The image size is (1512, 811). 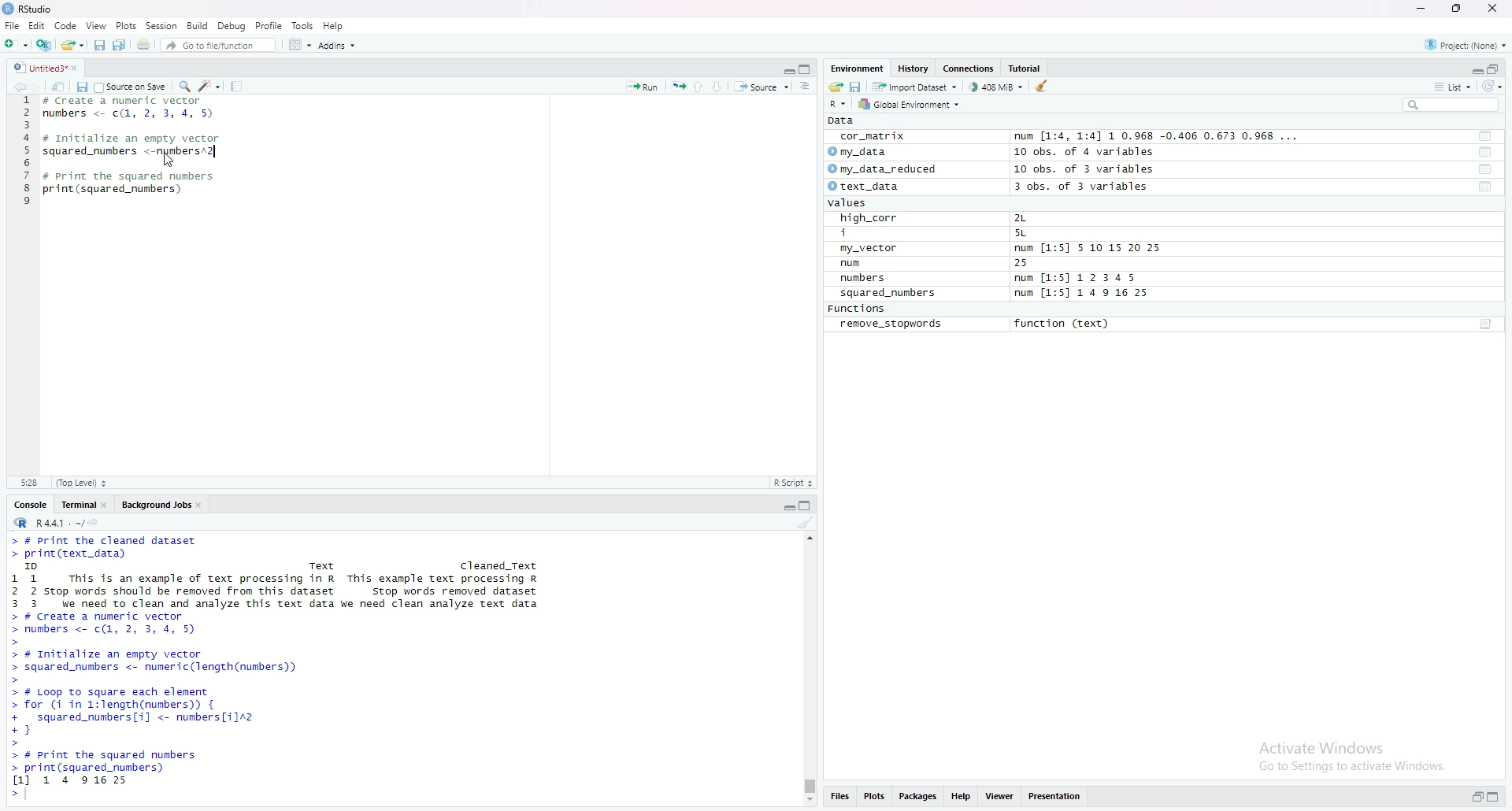 I want to click on line number, so click(x=24, y=154).